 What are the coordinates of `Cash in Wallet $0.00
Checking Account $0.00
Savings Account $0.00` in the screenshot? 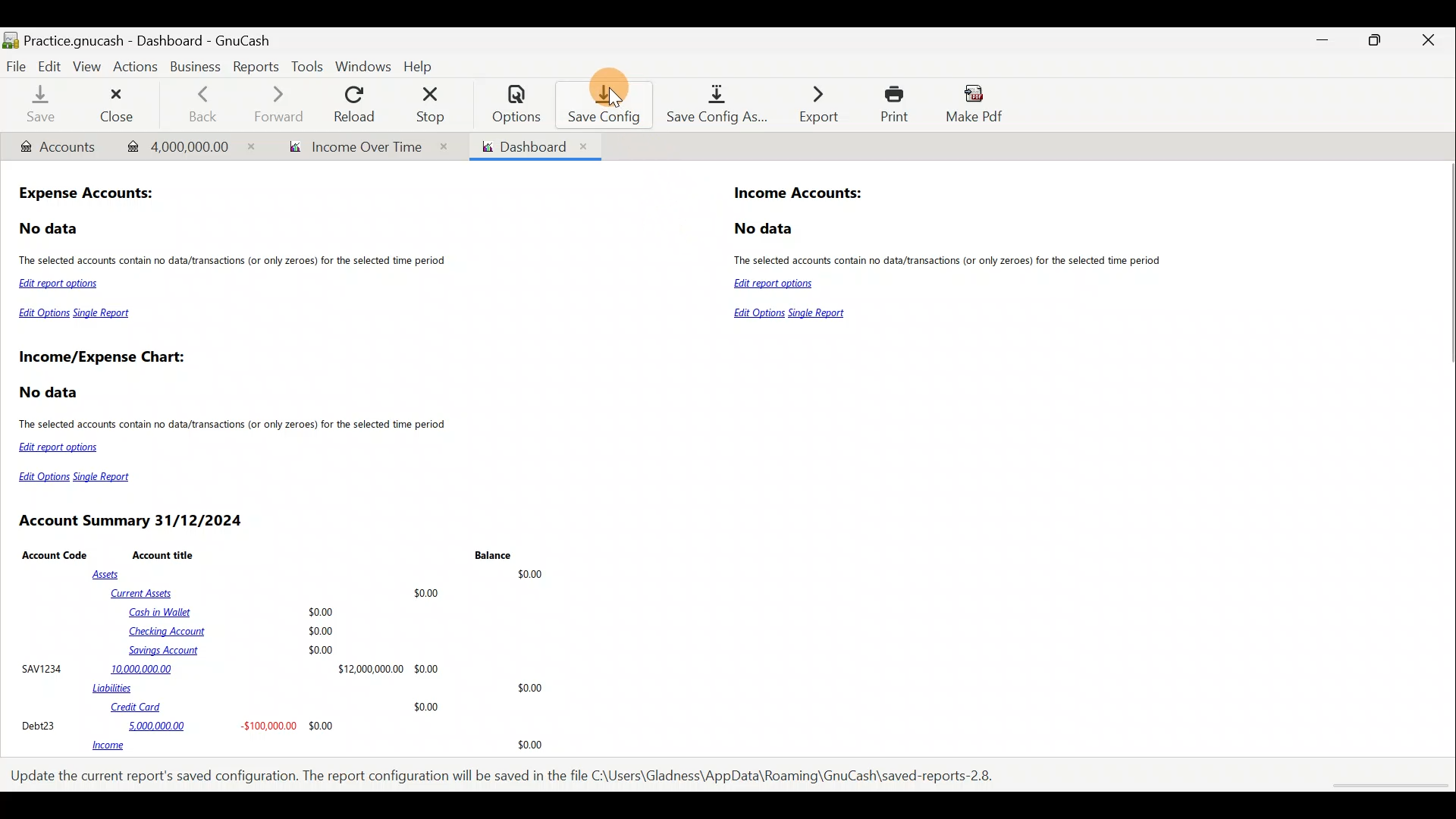 It's located at (234, 631).